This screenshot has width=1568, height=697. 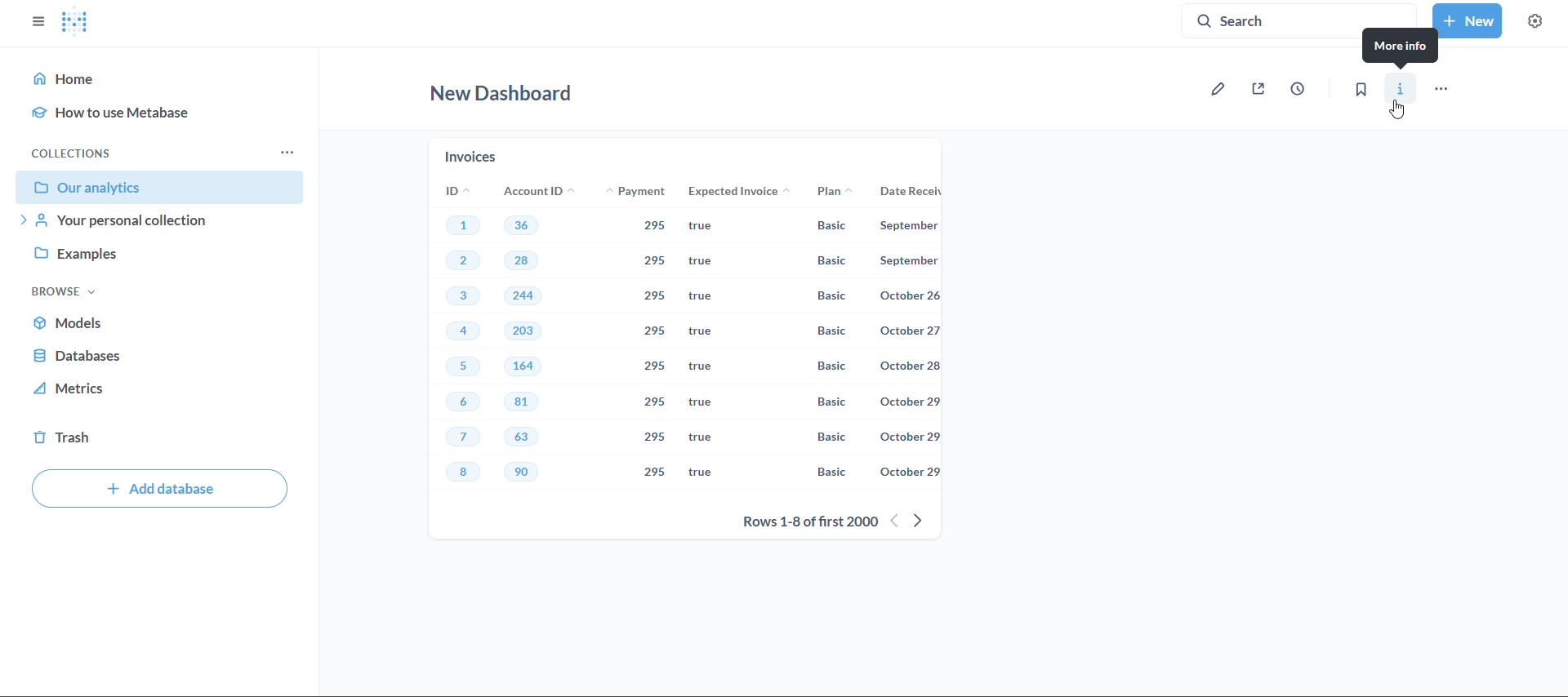 What do you see at coordinates (914, 332) in the screenshot?
I see `october 27` at bounding box center [914, 332].